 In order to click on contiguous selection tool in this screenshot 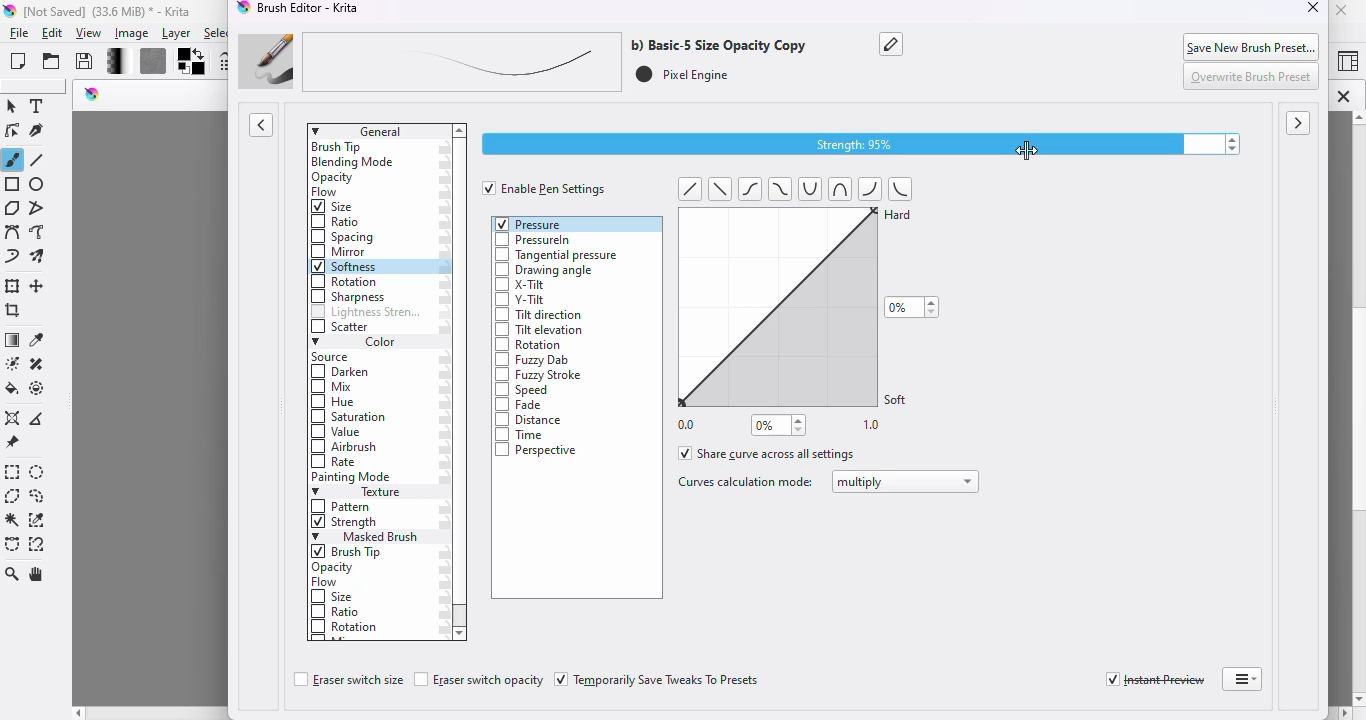, I will do `click(13, 521)`.